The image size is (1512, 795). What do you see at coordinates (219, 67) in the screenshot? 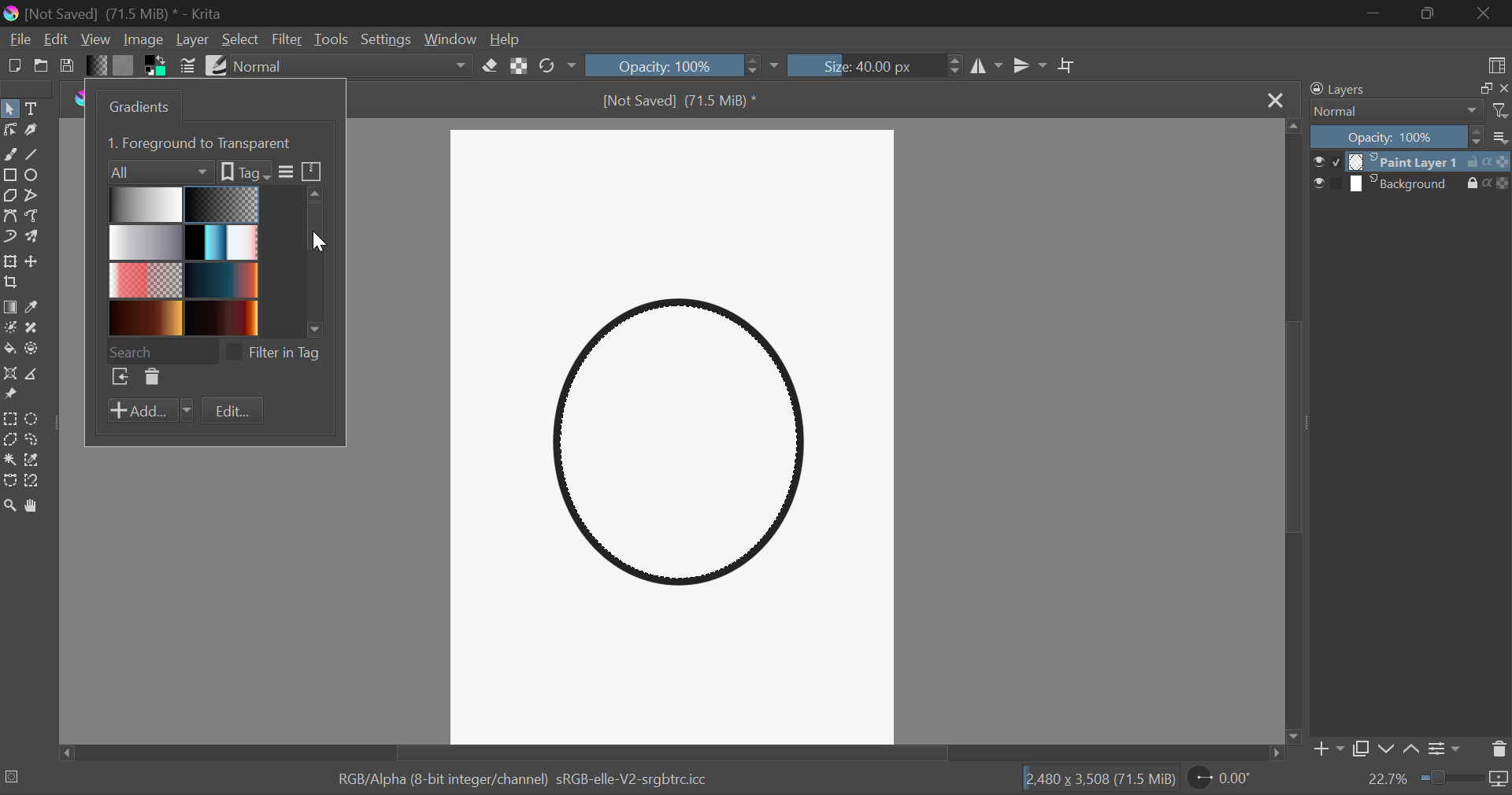
I see `Brush Presets` at bounding box center [219, 67].